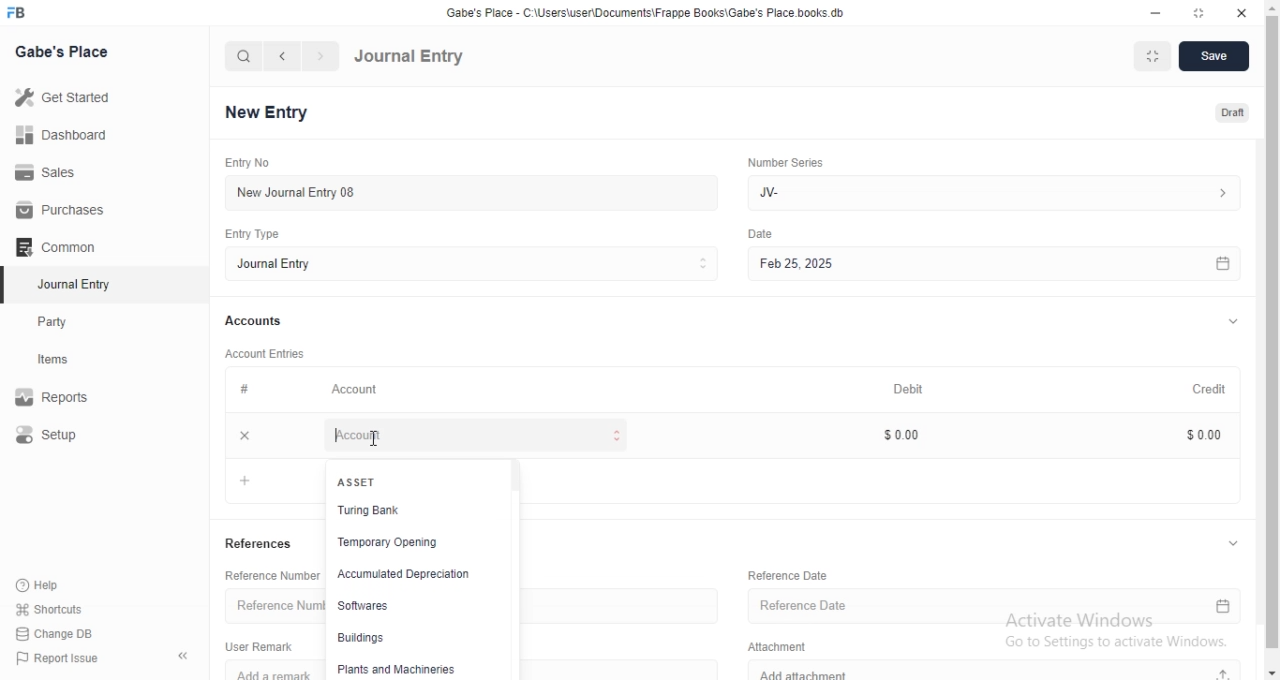  What do you see at coordinates (1272, 339) in the screenshot?
I see `vertical scroll bar` at bounding box center [1272, 339].